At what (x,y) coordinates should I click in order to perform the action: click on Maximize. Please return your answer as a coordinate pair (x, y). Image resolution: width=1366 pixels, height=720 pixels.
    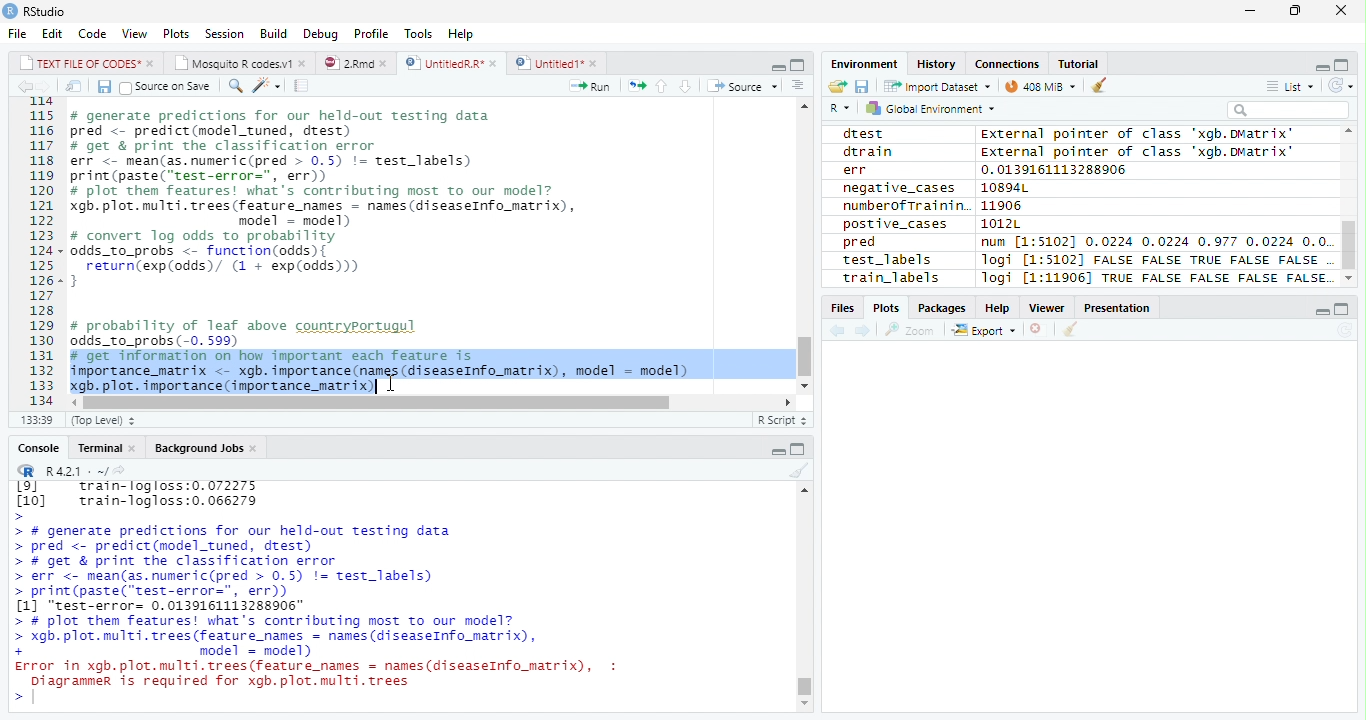
    Looking at the image, I should click on (797, 63).